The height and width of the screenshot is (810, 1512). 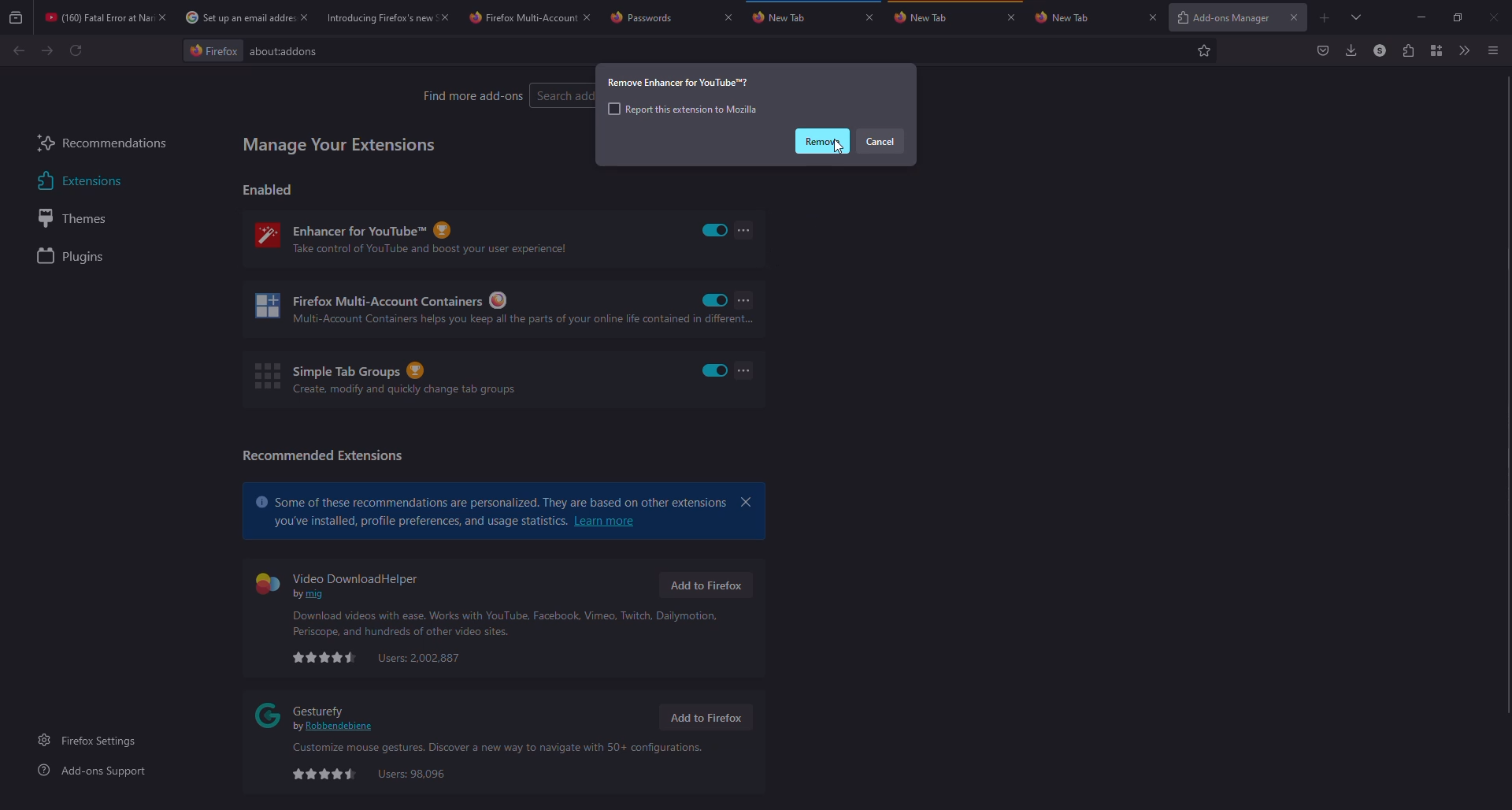 I want to click on cancel, so click(x=880, y=141).